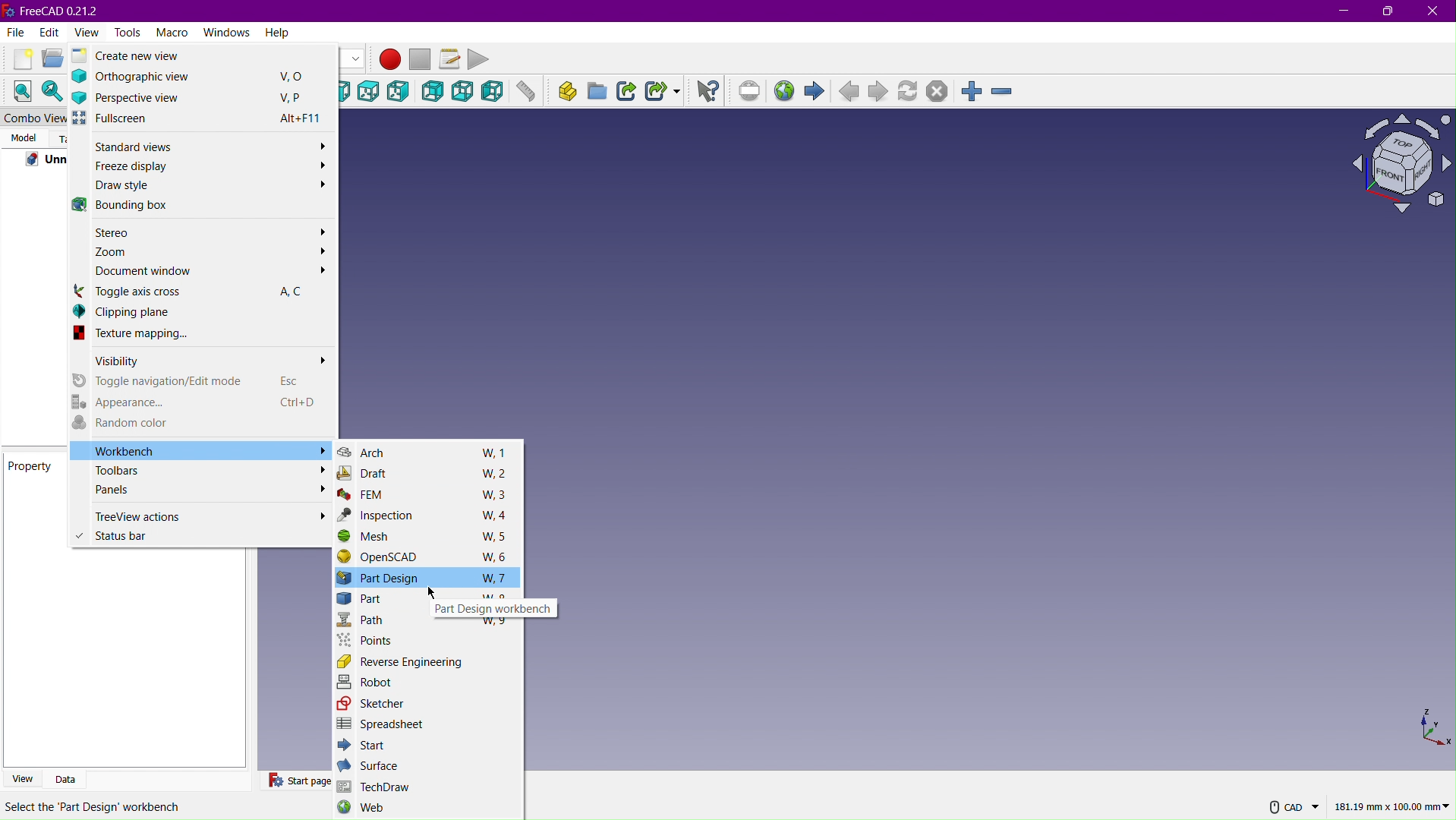  What do you see at coordinates (369, 91) in the screenshot?
I see `Top` at bounding box center [369, 91].